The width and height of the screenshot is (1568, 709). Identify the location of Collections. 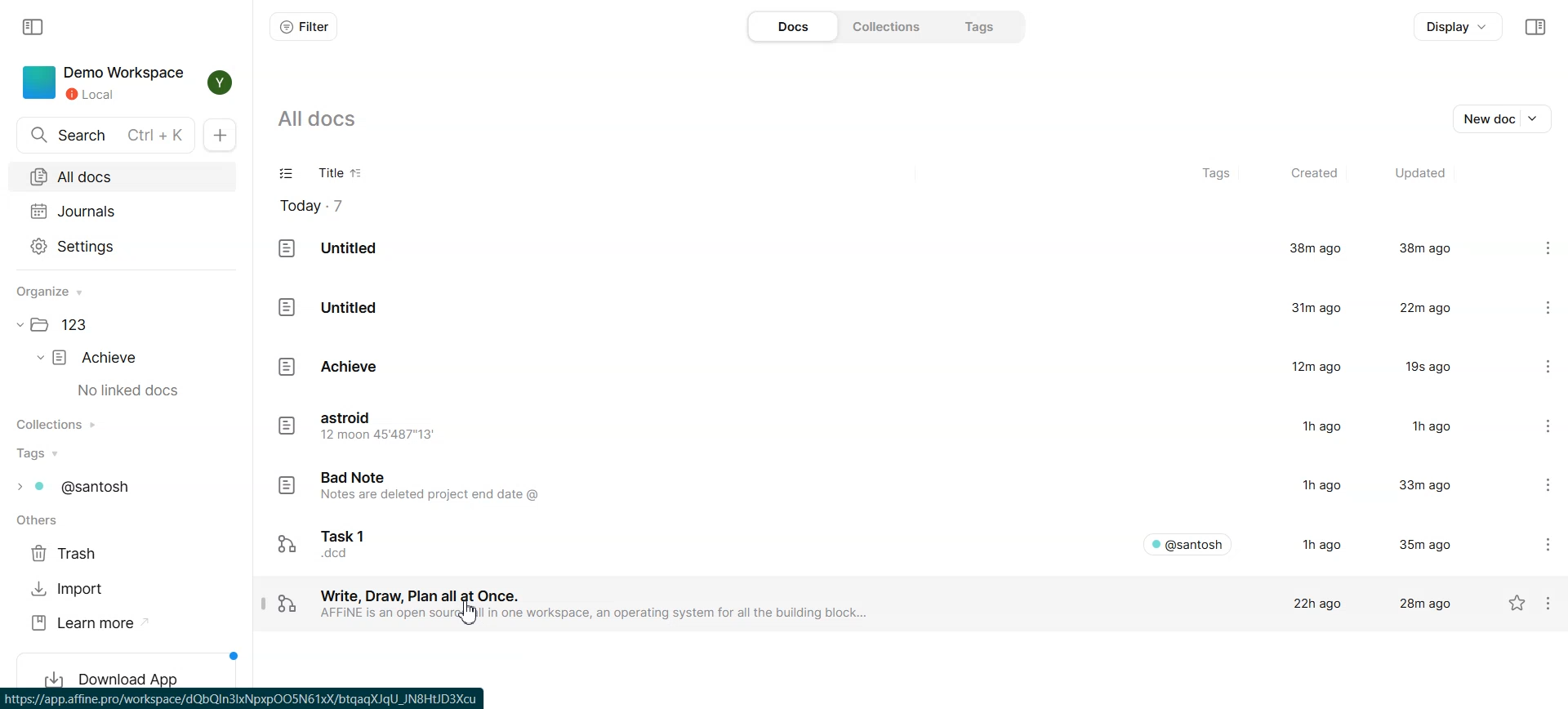
(63, 424).